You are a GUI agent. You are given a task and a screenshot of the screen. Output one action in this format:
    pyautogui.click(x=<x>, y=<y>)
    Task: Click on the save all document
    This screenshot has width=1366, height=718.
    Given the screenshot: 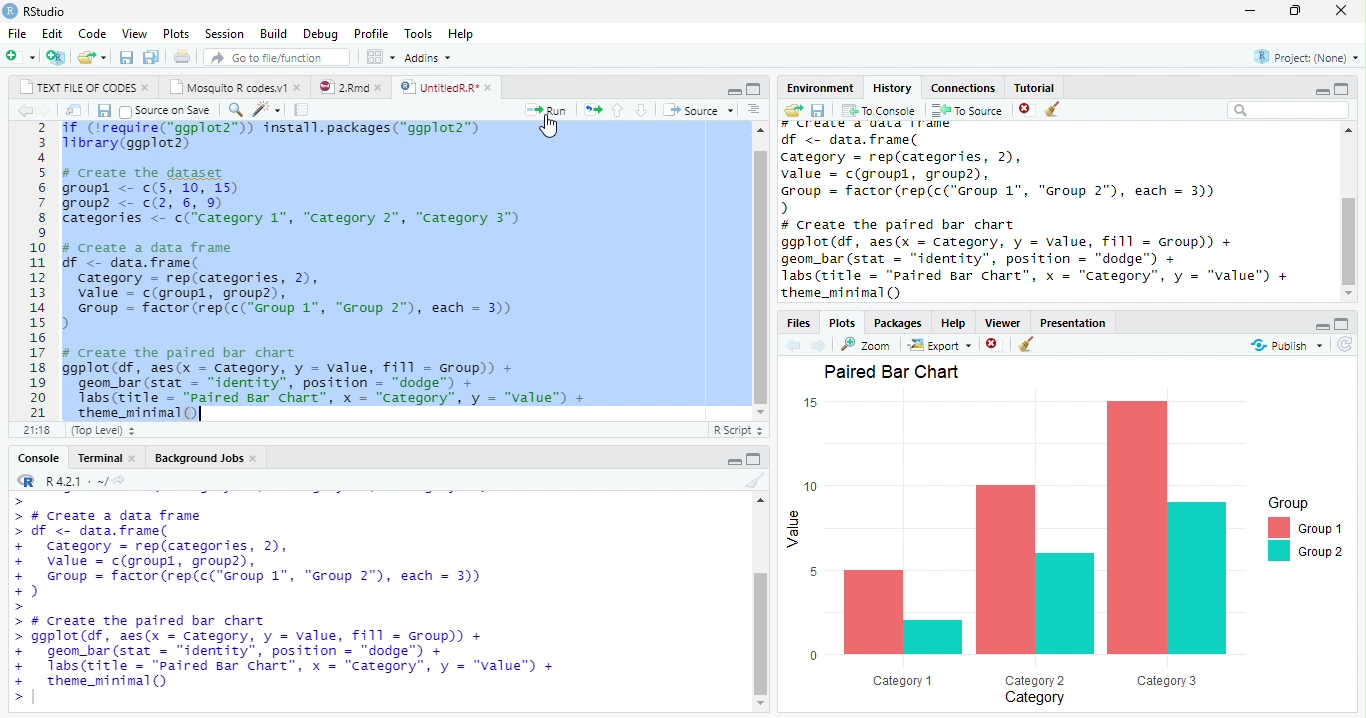 What is the action you would take?
    pyautogui.click(x=153, y=56)
    